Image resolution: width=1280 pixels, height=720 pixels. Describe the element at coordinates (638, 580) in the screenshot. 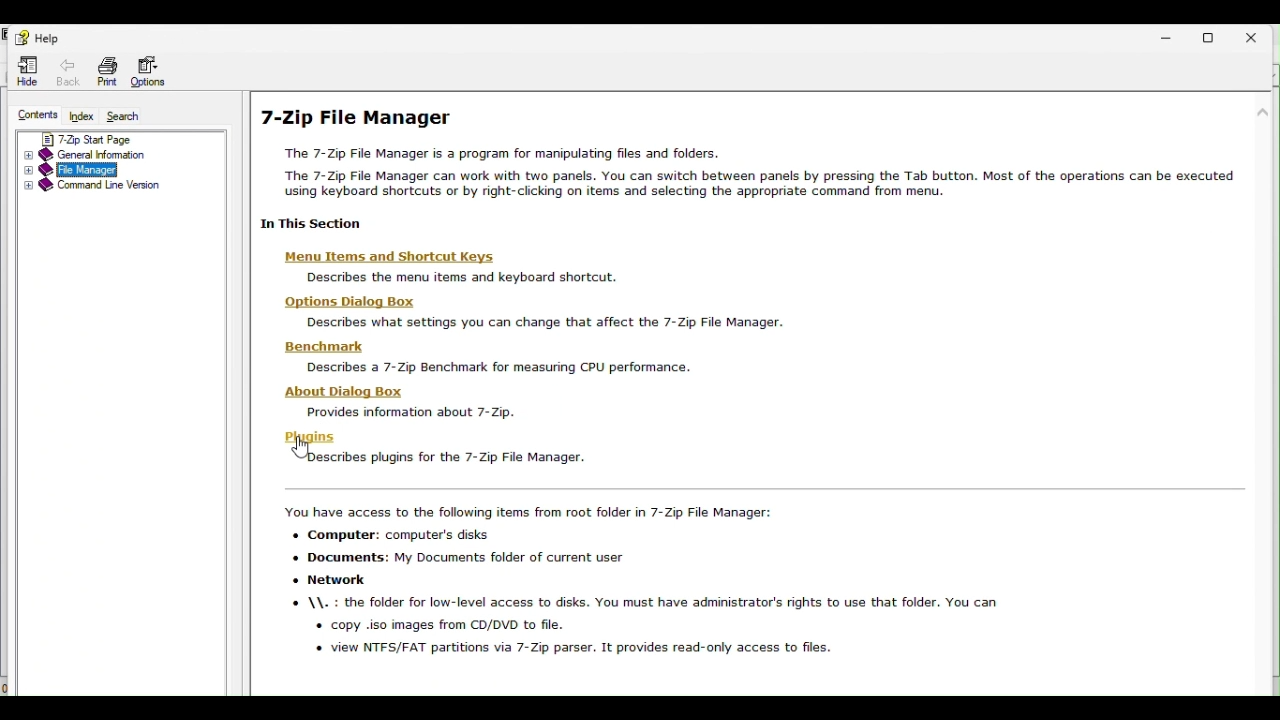

I see `You have access to the following items from root folder in 7-Zip File Manager:
« Computer: computer's disks
+ Documents: My Documents folder of current user
« Network
© \\. : the folder for low-level access to disks. You must have administrator's rights to use that folder. You c
+ copy .iso images from CD/DVD to file.
o view NTFS/FAT partitions via 7-Zip parser. It provides read-only access to files.` at that location.